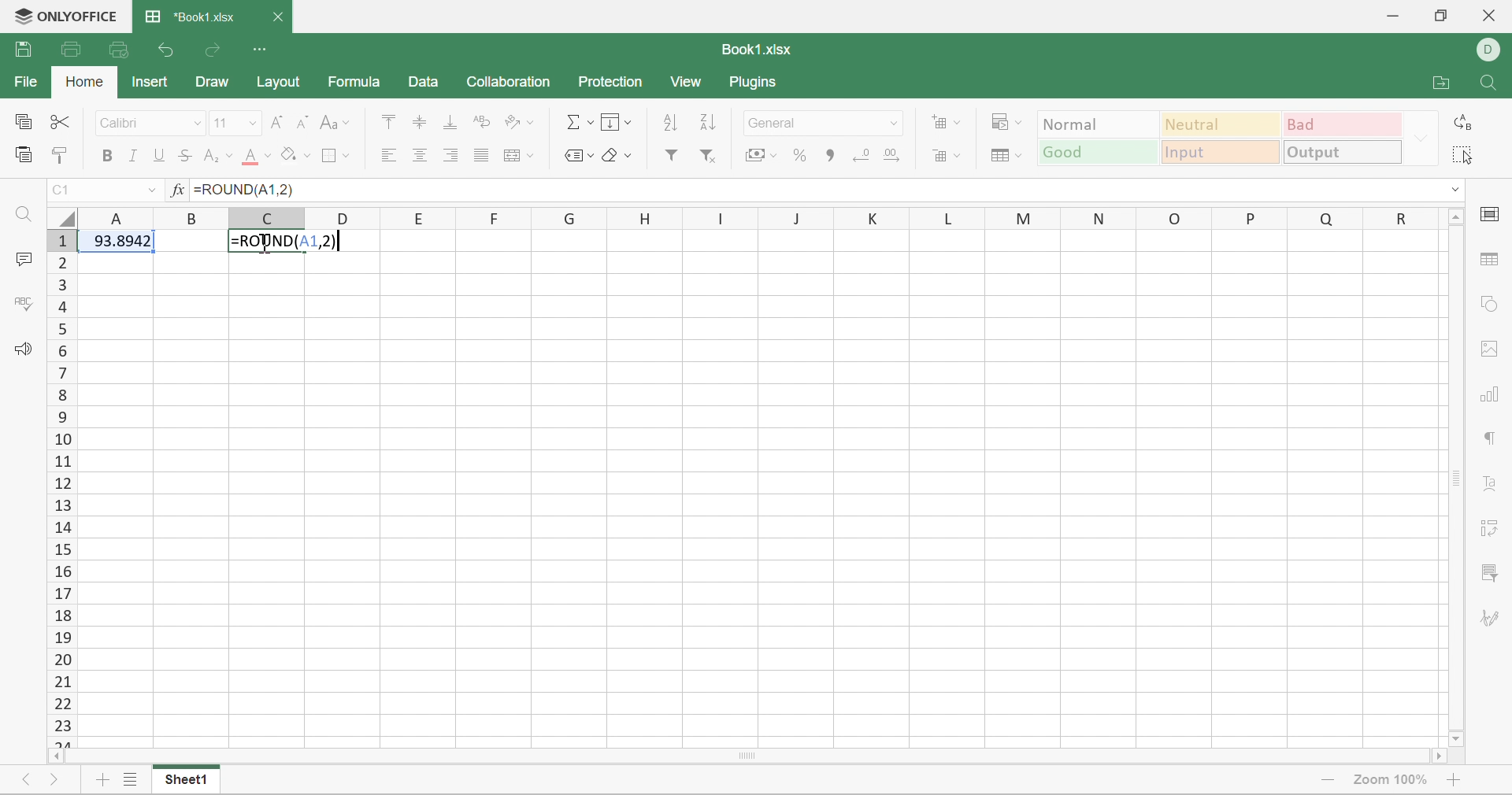 This screenshot has height=795, width=1512. What do you see at coordinates (480, 157) in the screenshot?
I see `Justified` at bounding box center [480, 157].